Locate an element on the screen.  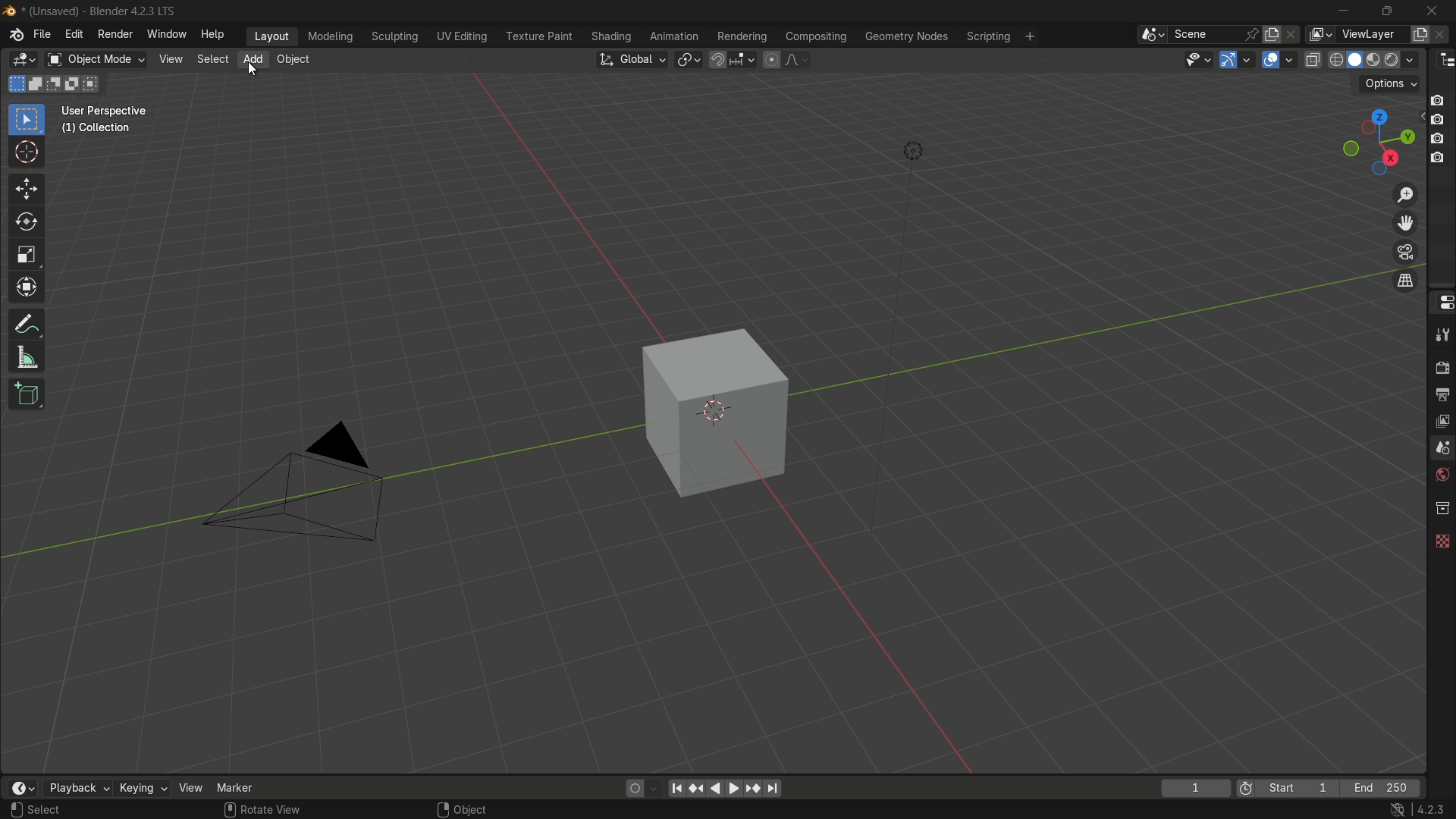
light is located at coordinates (908, 154).